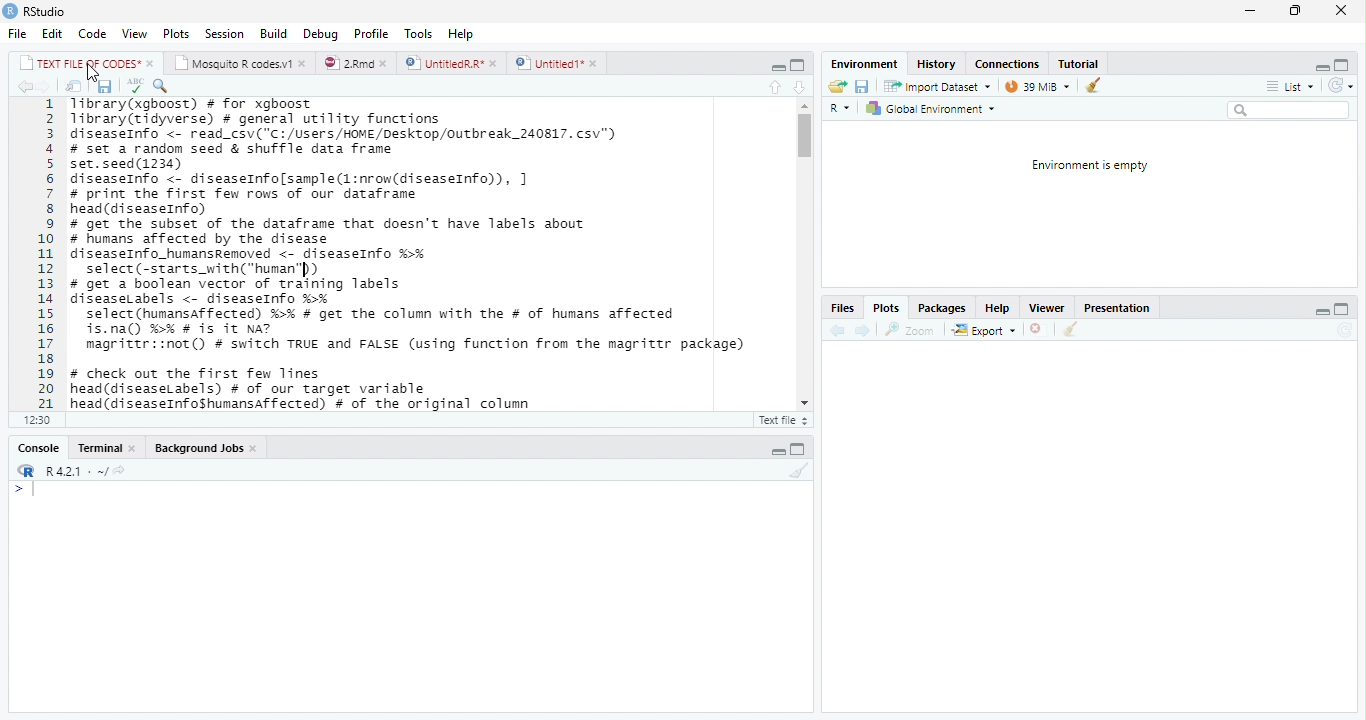 Image resolution: width=1366 pixels, height=720 pixels. Describe the element at coordinates (1092, 86) in the screenshot. I see `Clean` at that location.